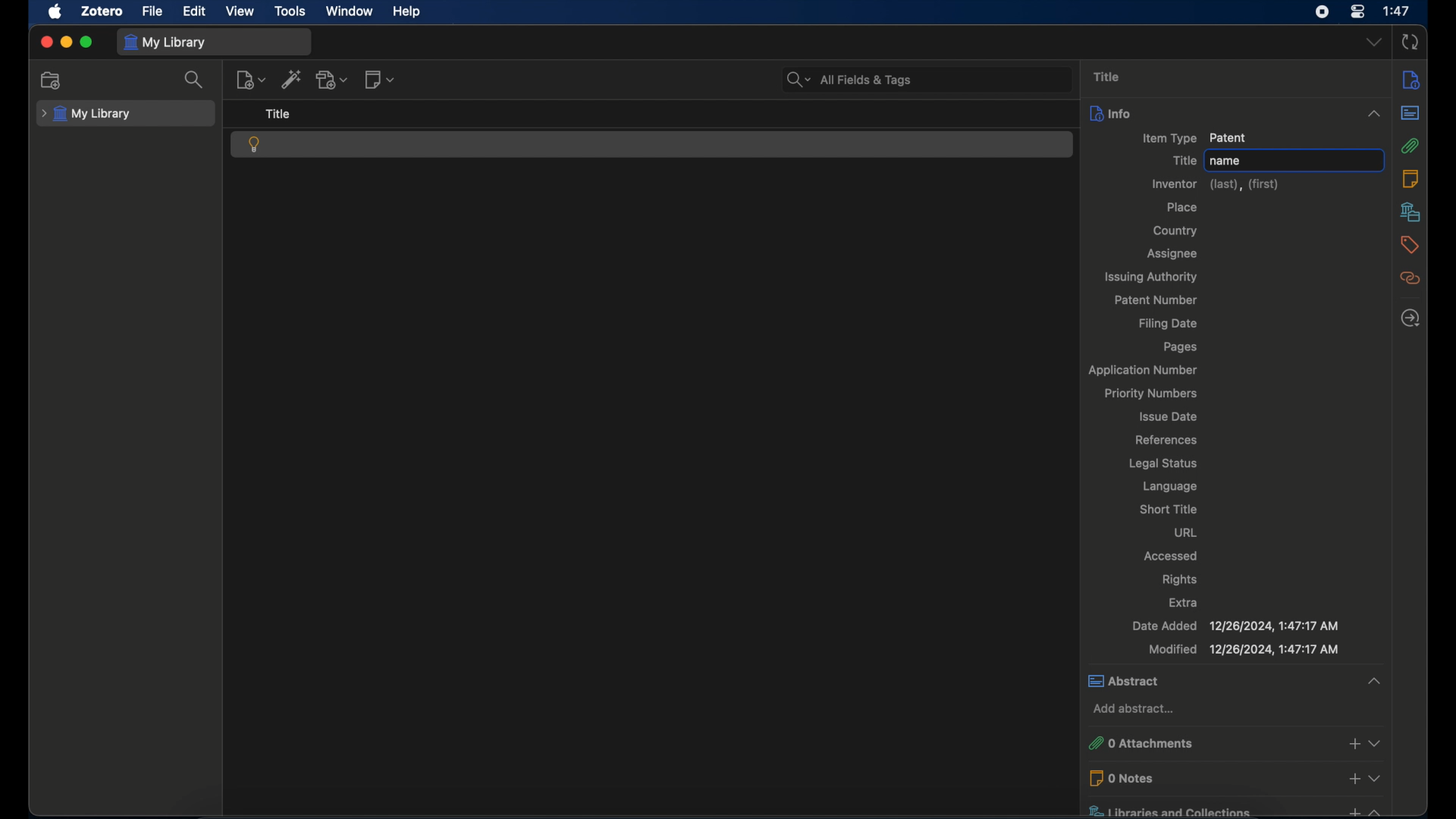  Describe the element at coordinates (1410, 146) in the screenshot. I see `attachmnents` at that location.